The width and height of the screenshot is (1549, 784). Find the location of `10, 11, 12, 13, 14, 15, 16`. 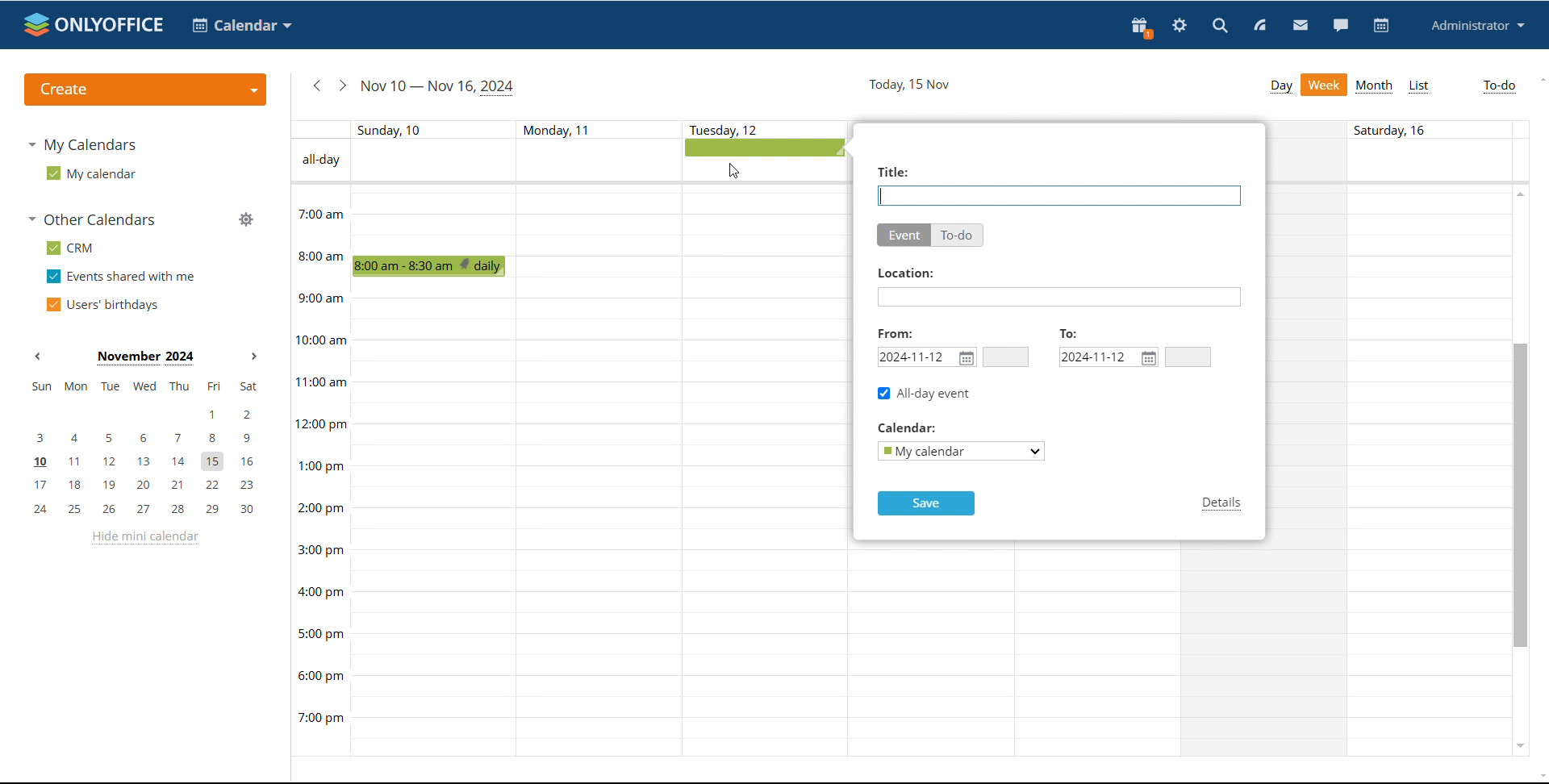

10, 11, 12, 13, 14, 15, 16 is located at coordinates (150, 463).